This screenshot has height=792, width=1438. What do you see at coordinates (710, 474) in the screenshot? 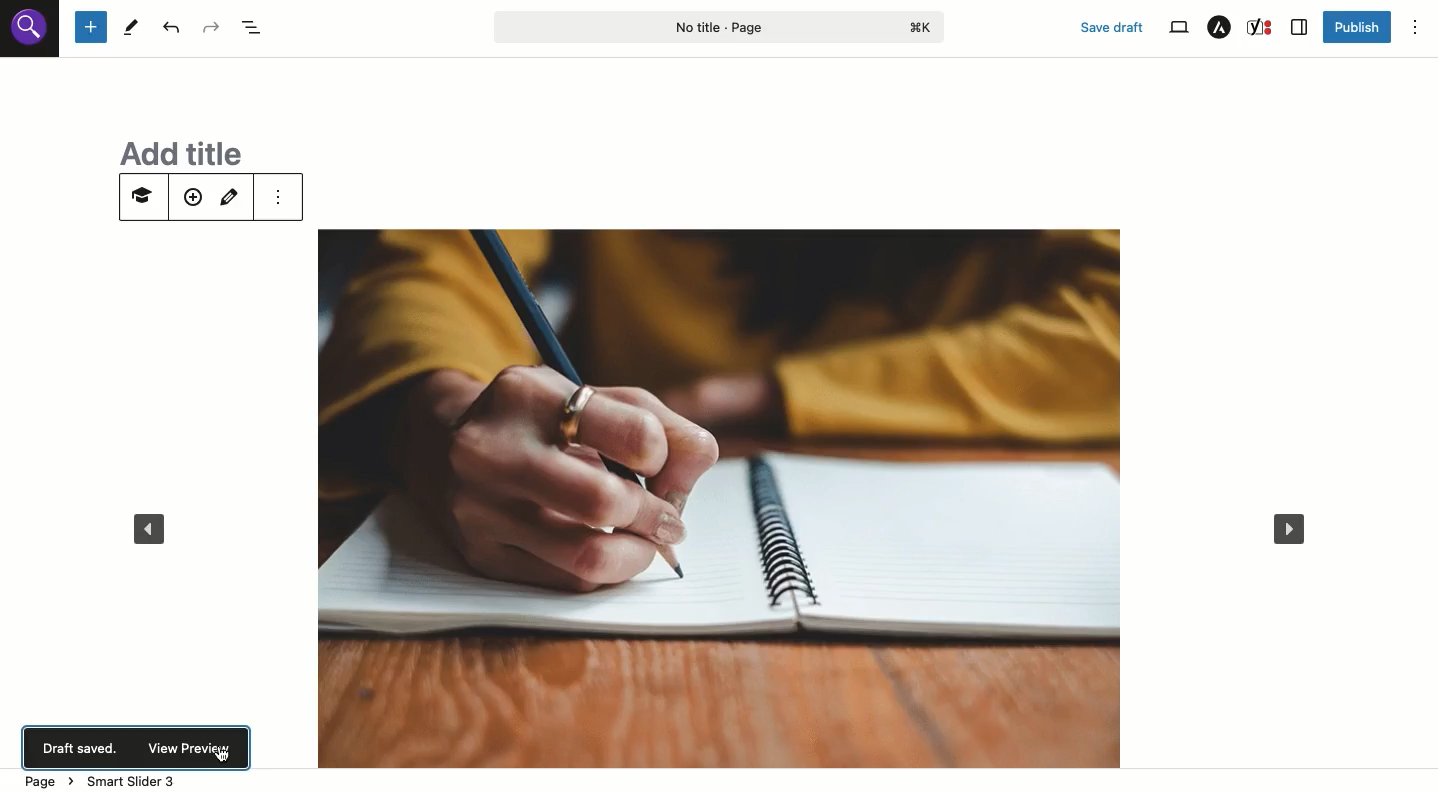
I see `Carousel` at bounding box center [710, 474].